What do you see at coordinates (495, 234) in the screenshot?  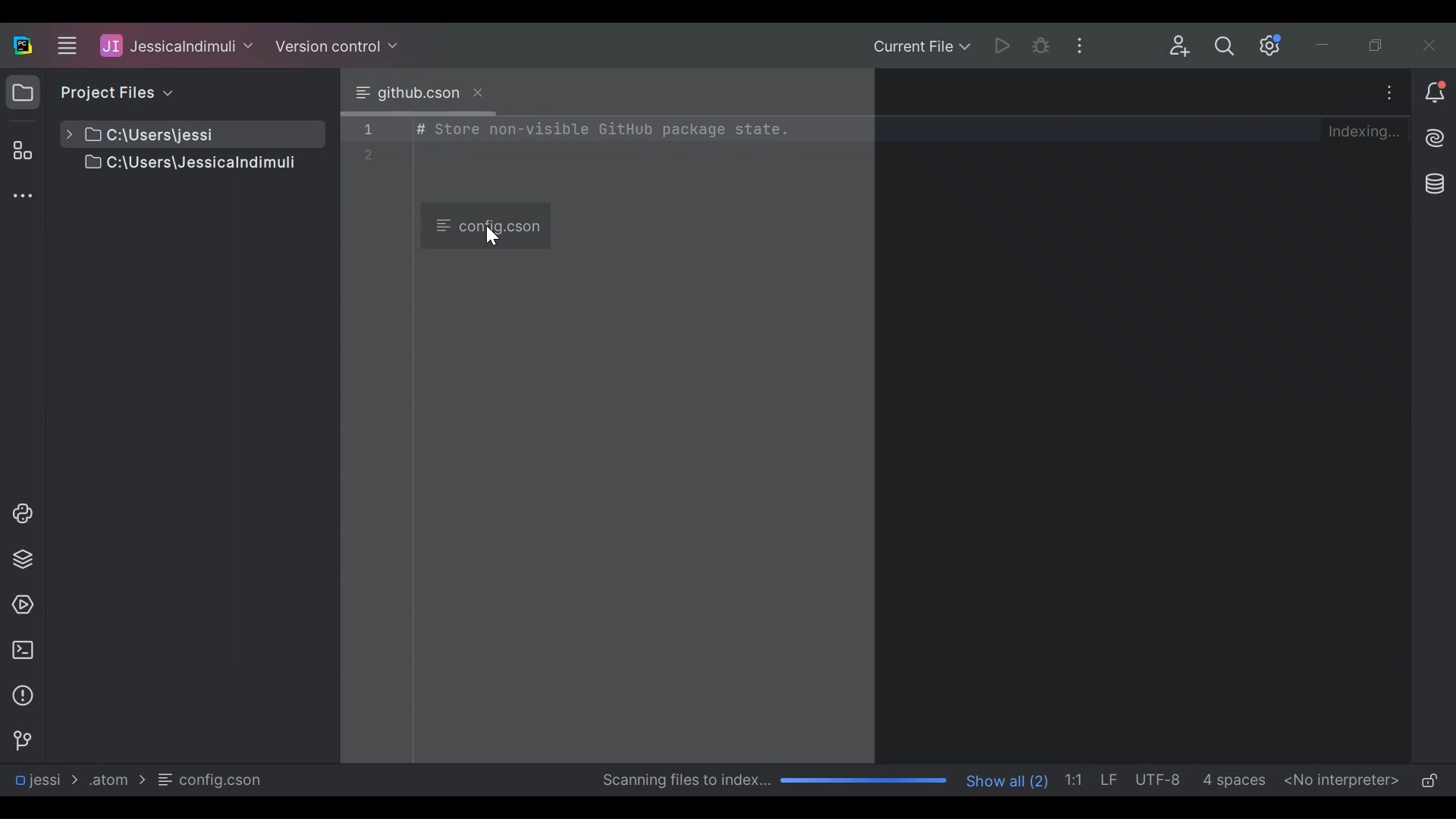 I see `Cursor` at bounding box center [495, 234].